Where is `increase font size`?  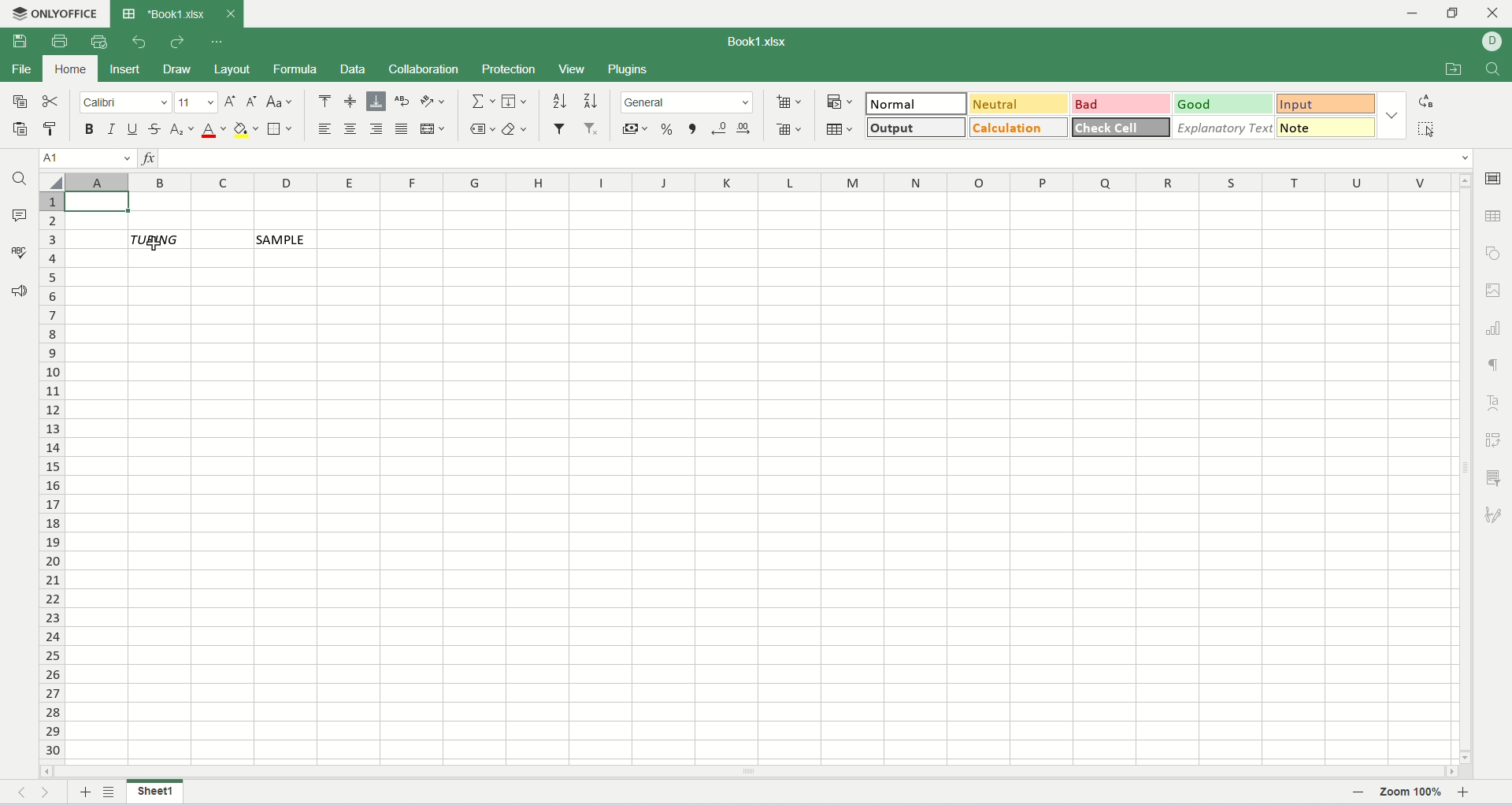
increase font size is located at coordinates (232, 103).